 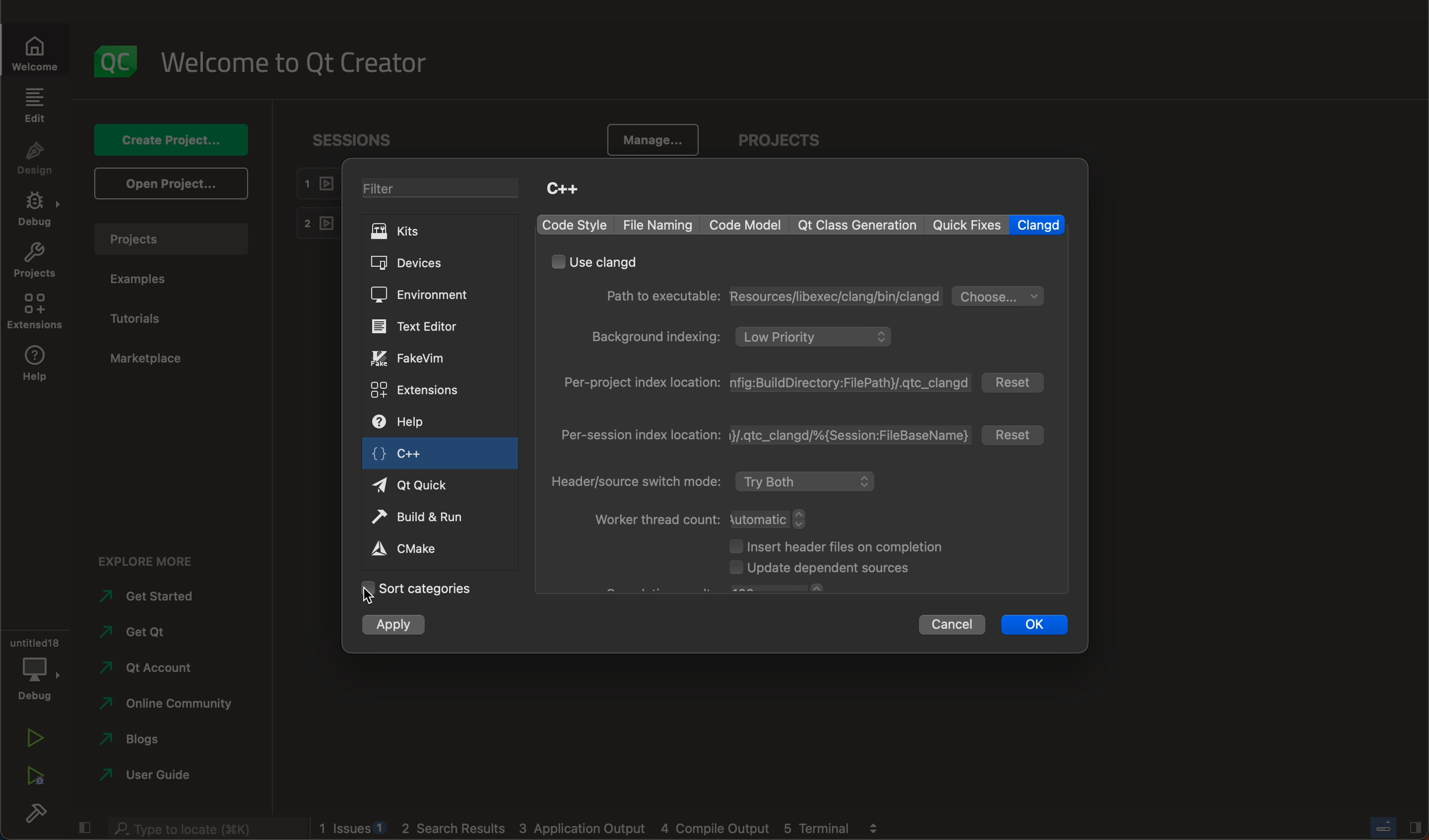 I want to click on categories, so click(x=430, y=593).